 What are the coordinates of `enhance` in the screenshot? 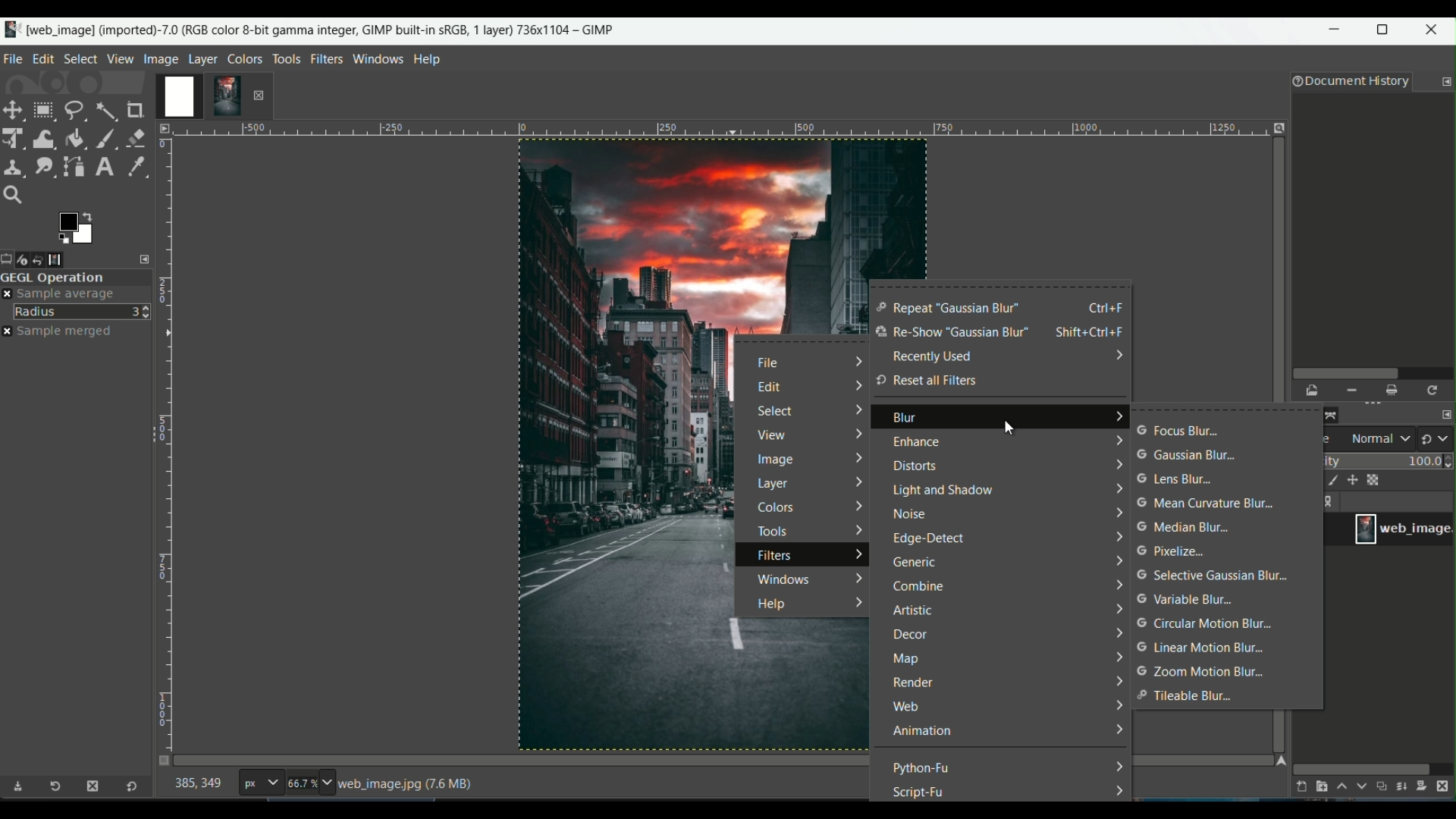 It's located at (914, 444).